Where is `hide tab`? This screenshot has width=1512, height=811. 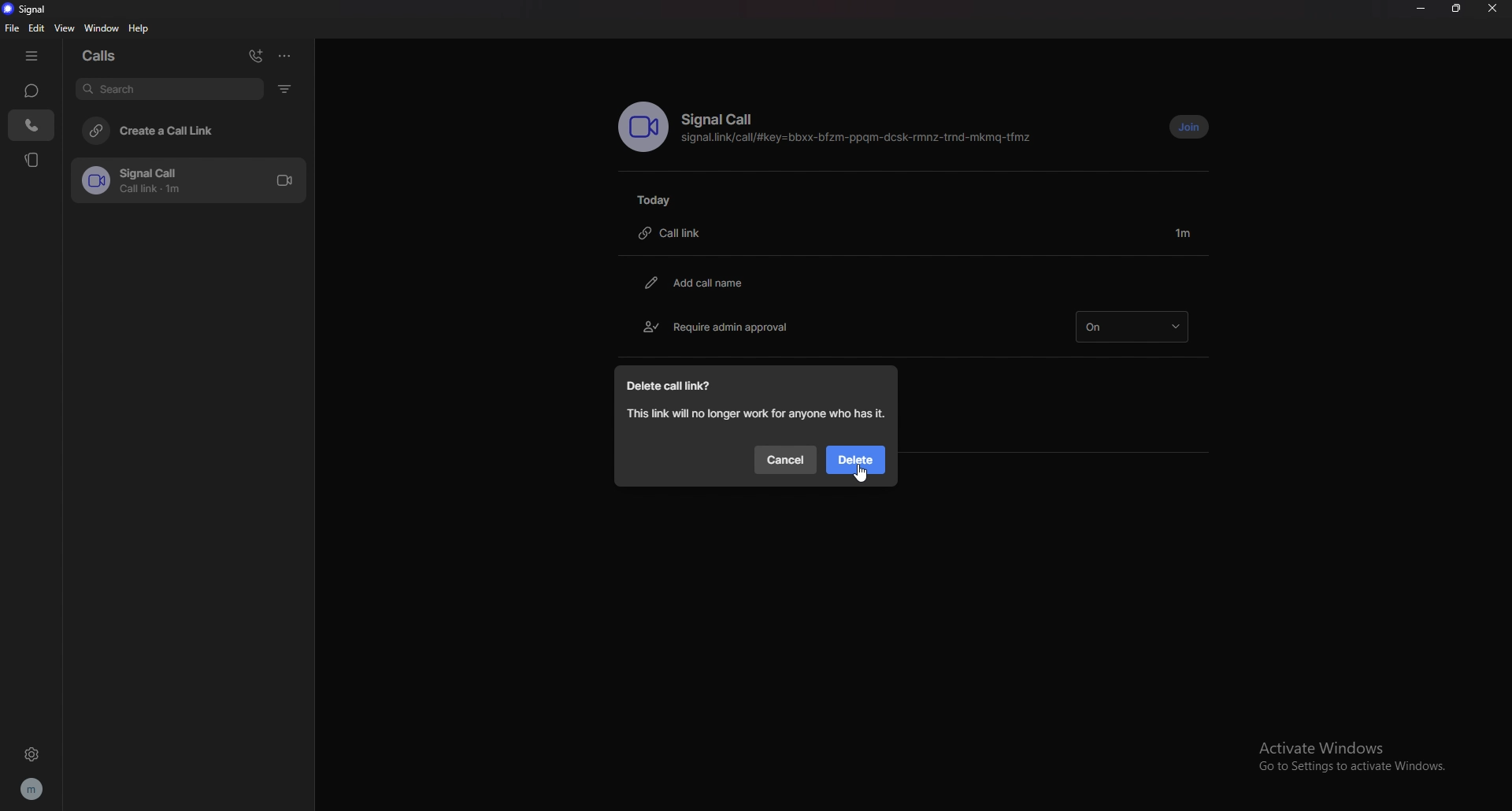
hide tab is located at coordinates (33, 56).